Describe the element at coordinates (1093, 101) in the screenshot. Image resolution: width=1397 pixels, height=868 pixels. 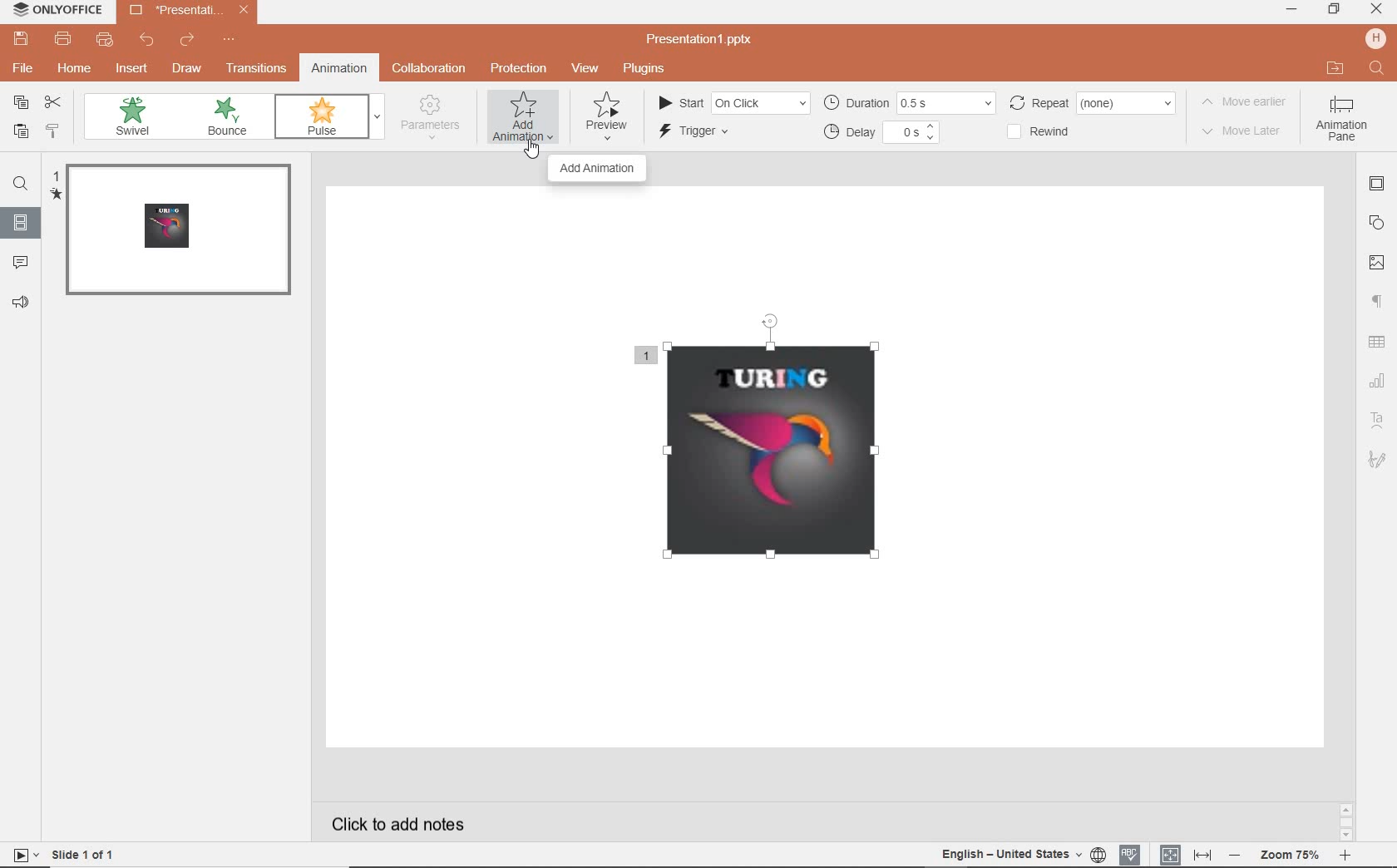
I see `repeat` at that location.